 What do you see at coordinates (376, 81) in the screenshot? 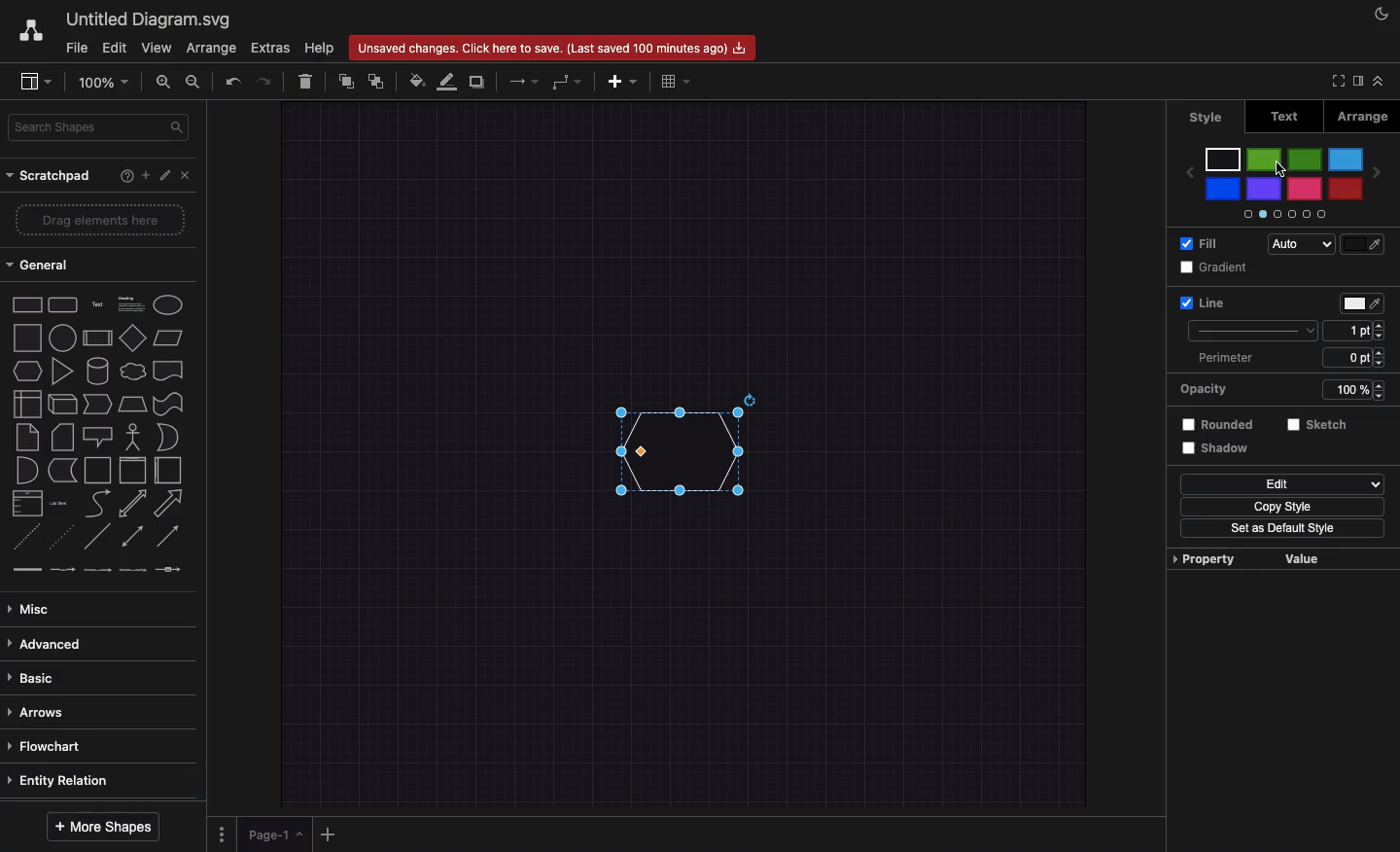
I see `To the back` at bounding box center [376, 81].